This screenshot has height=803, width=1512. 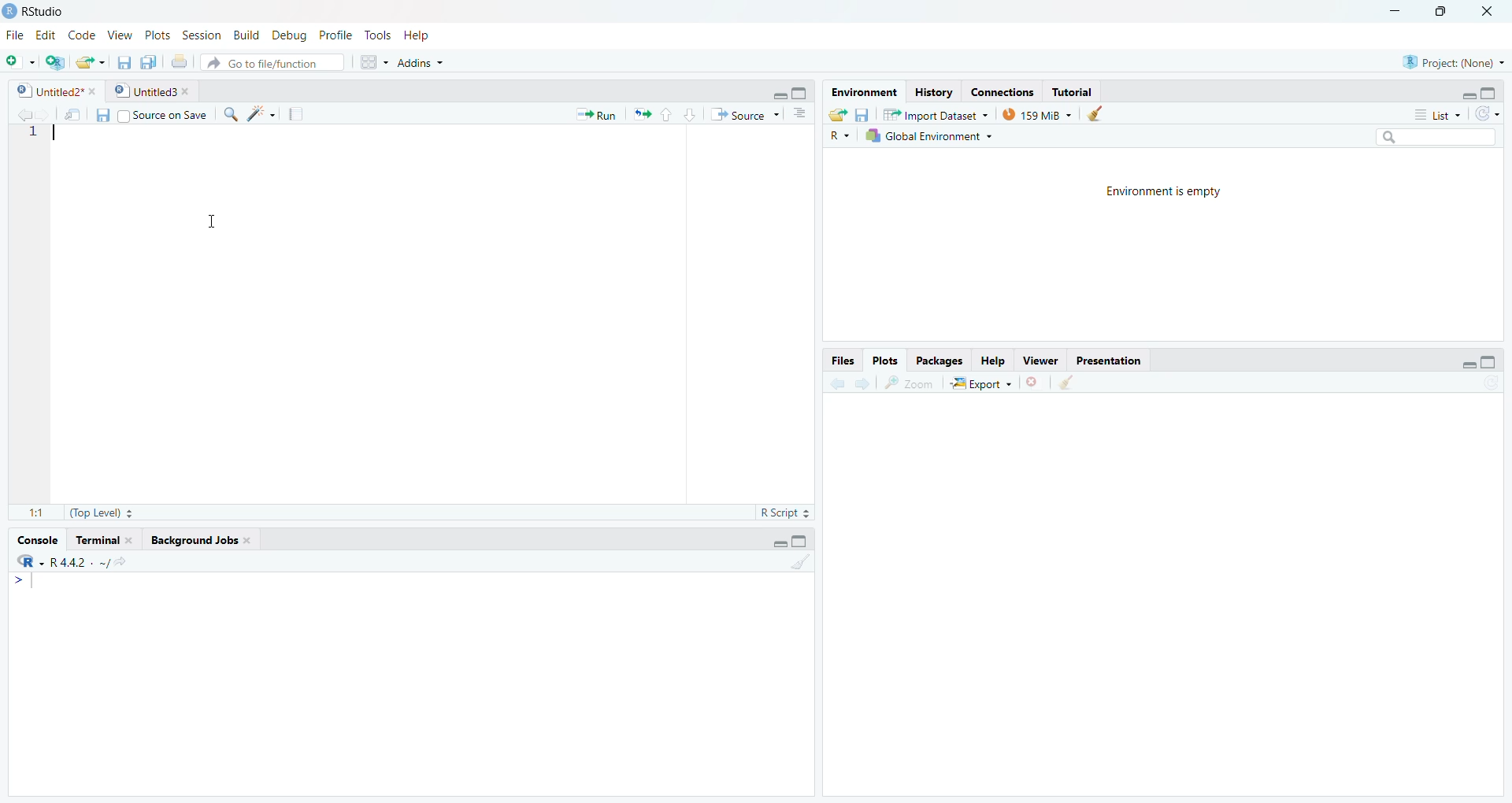 I want to click on RStudio, so click(x=38, y=12).